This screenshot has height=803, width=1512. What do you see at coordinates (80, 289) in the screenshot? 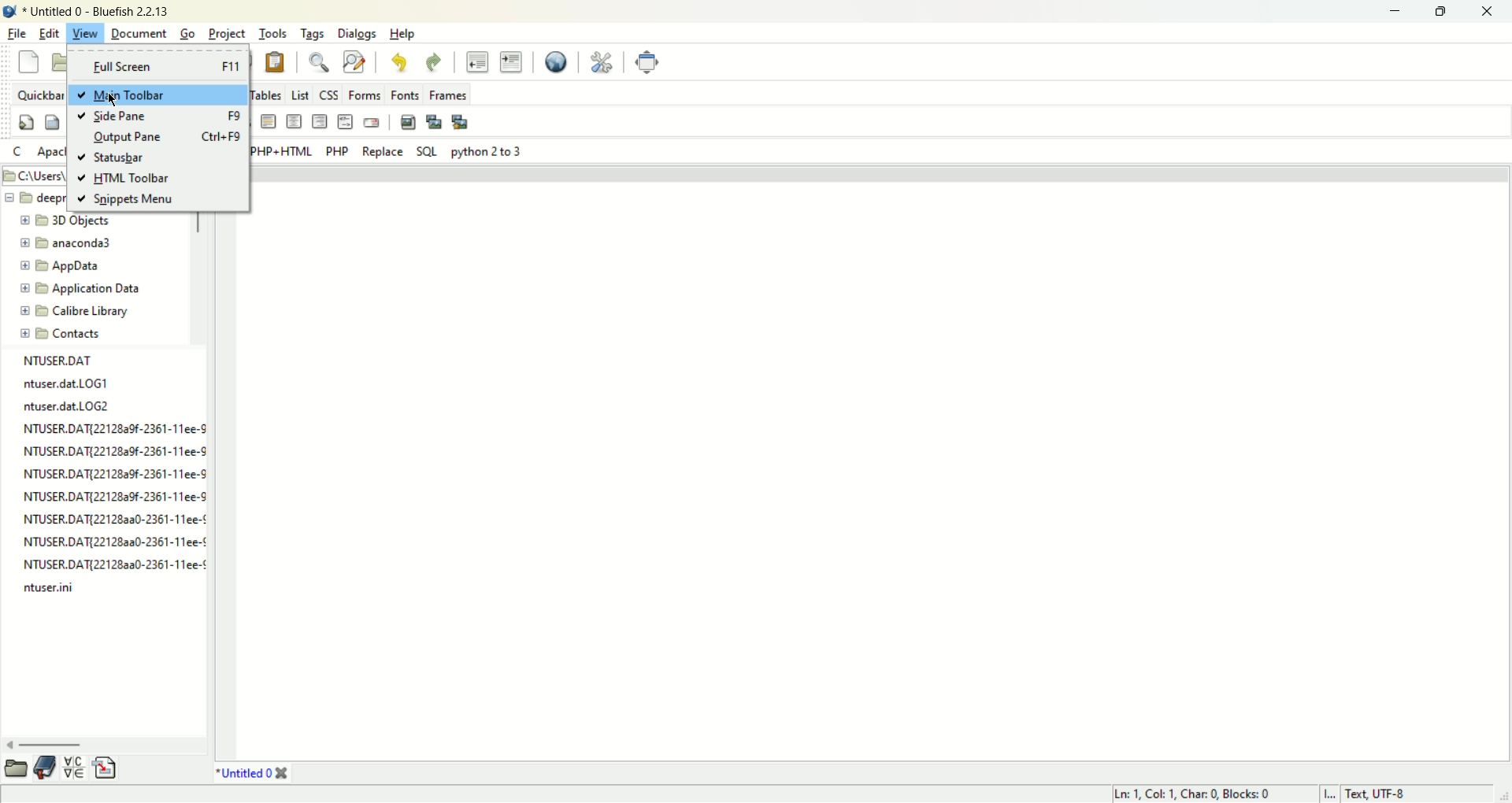
I see `application` at bounding box center [80, 289].